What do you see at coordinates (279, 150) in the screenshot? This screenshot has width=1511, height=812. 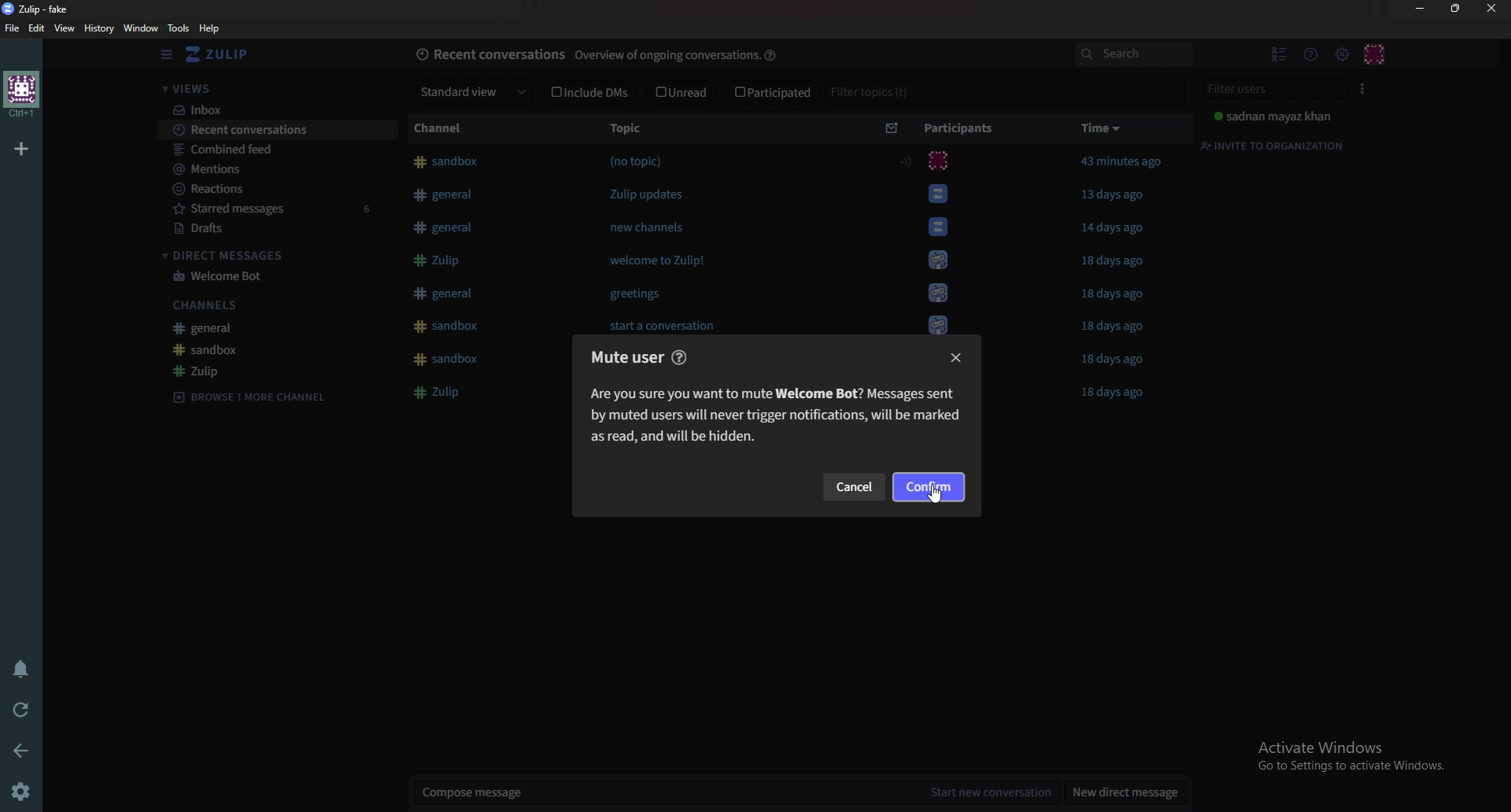 I see `Combined feed` at bounding box center [279, 150].